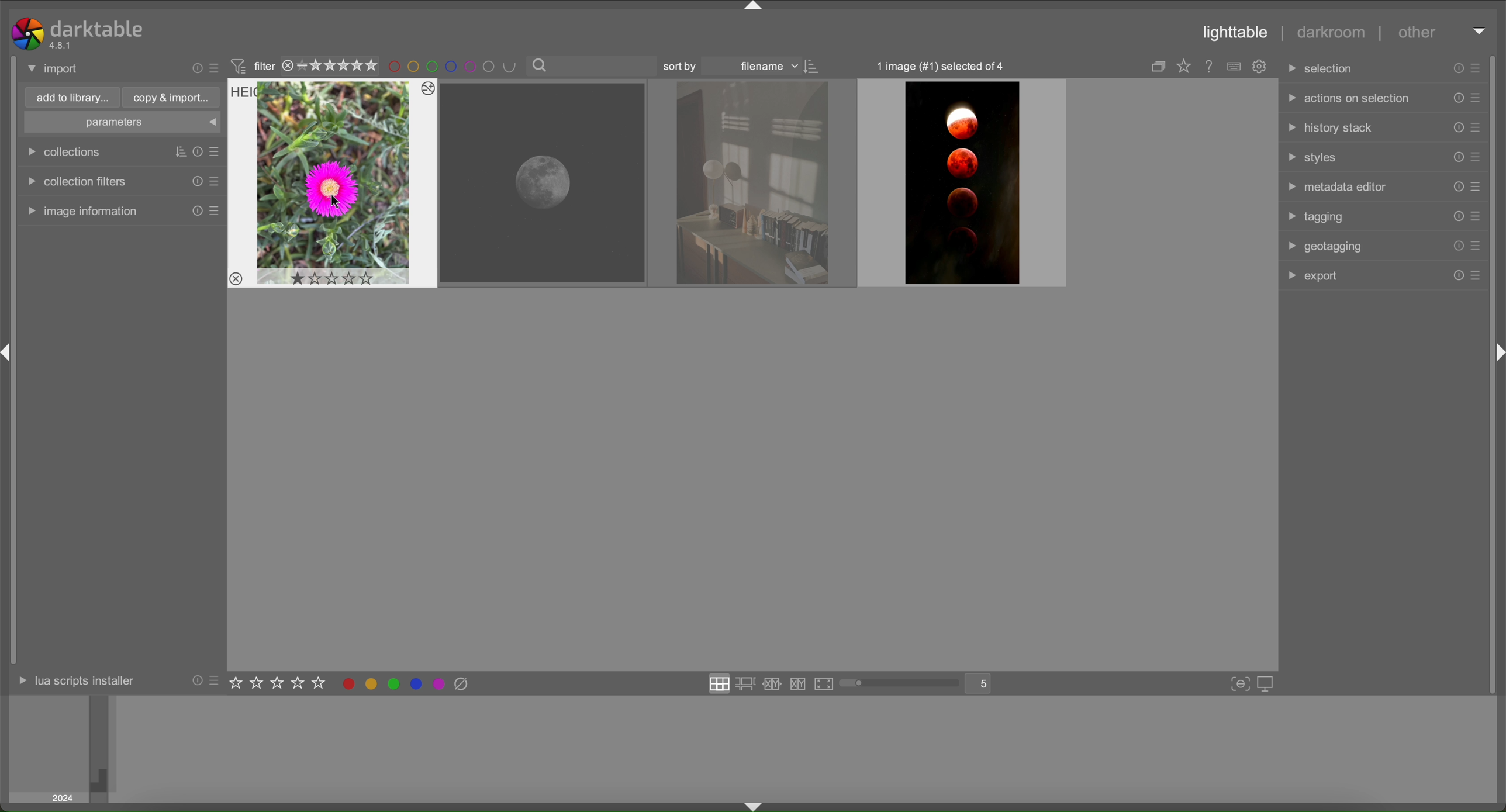 The image size is (1506, 812). I want to click on cullying layout in dinamic mode, so click(798, 684).